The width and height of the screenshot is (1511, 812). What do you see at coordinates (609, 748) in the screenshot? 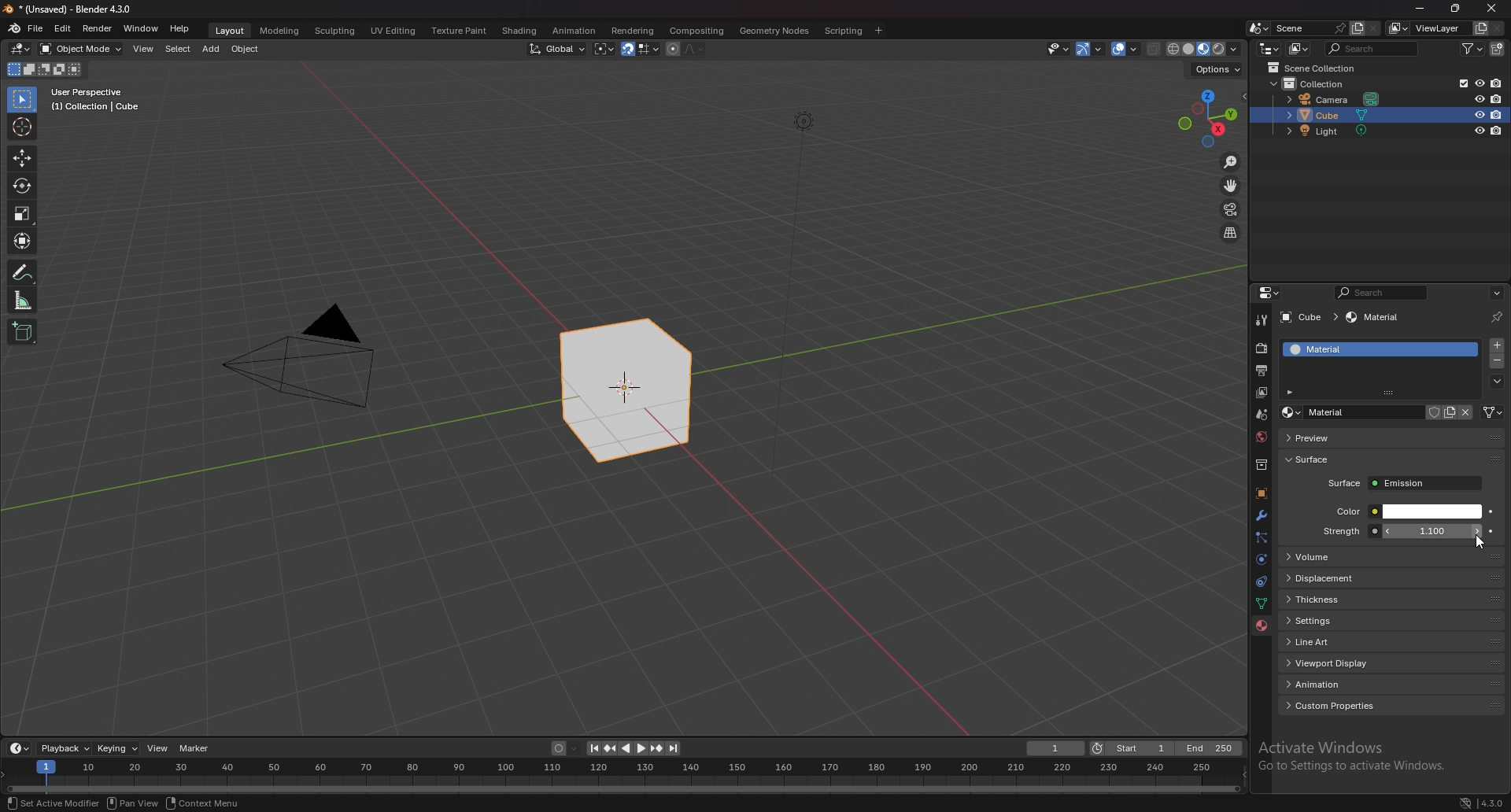
I see `jump to keyframe` at bounding box center [609, 748].